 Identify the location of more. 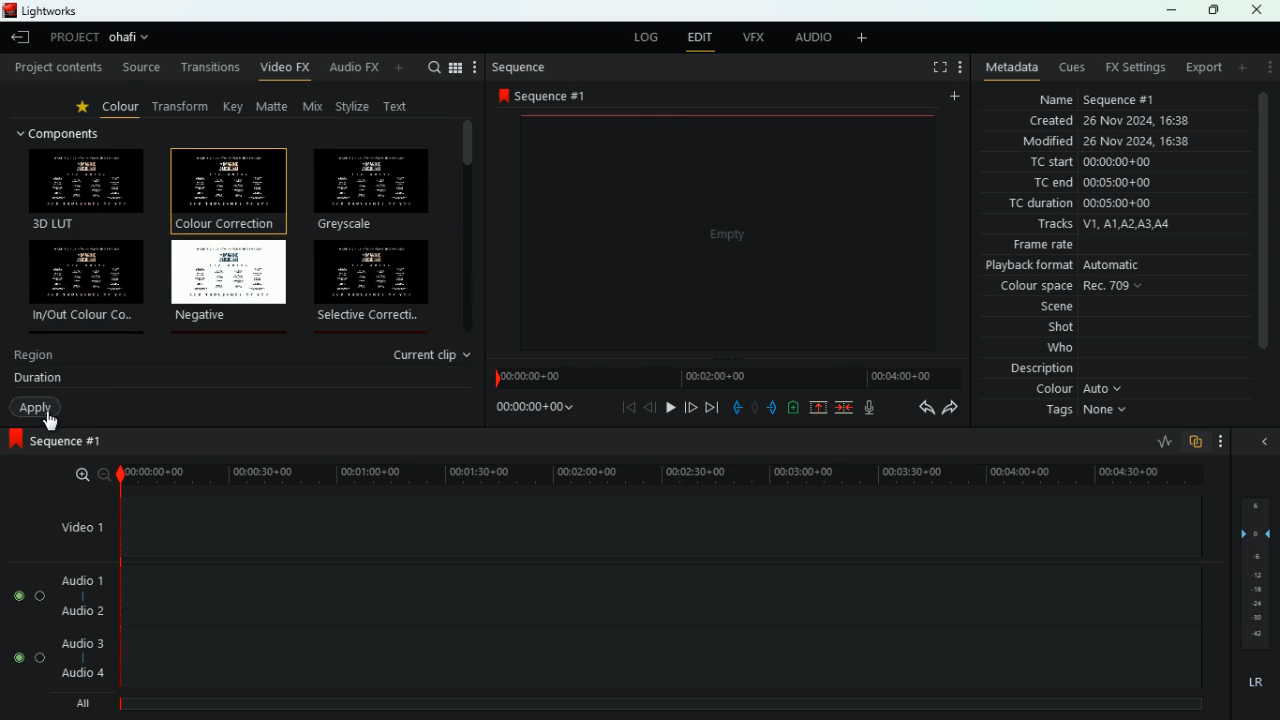
(1242, 68).